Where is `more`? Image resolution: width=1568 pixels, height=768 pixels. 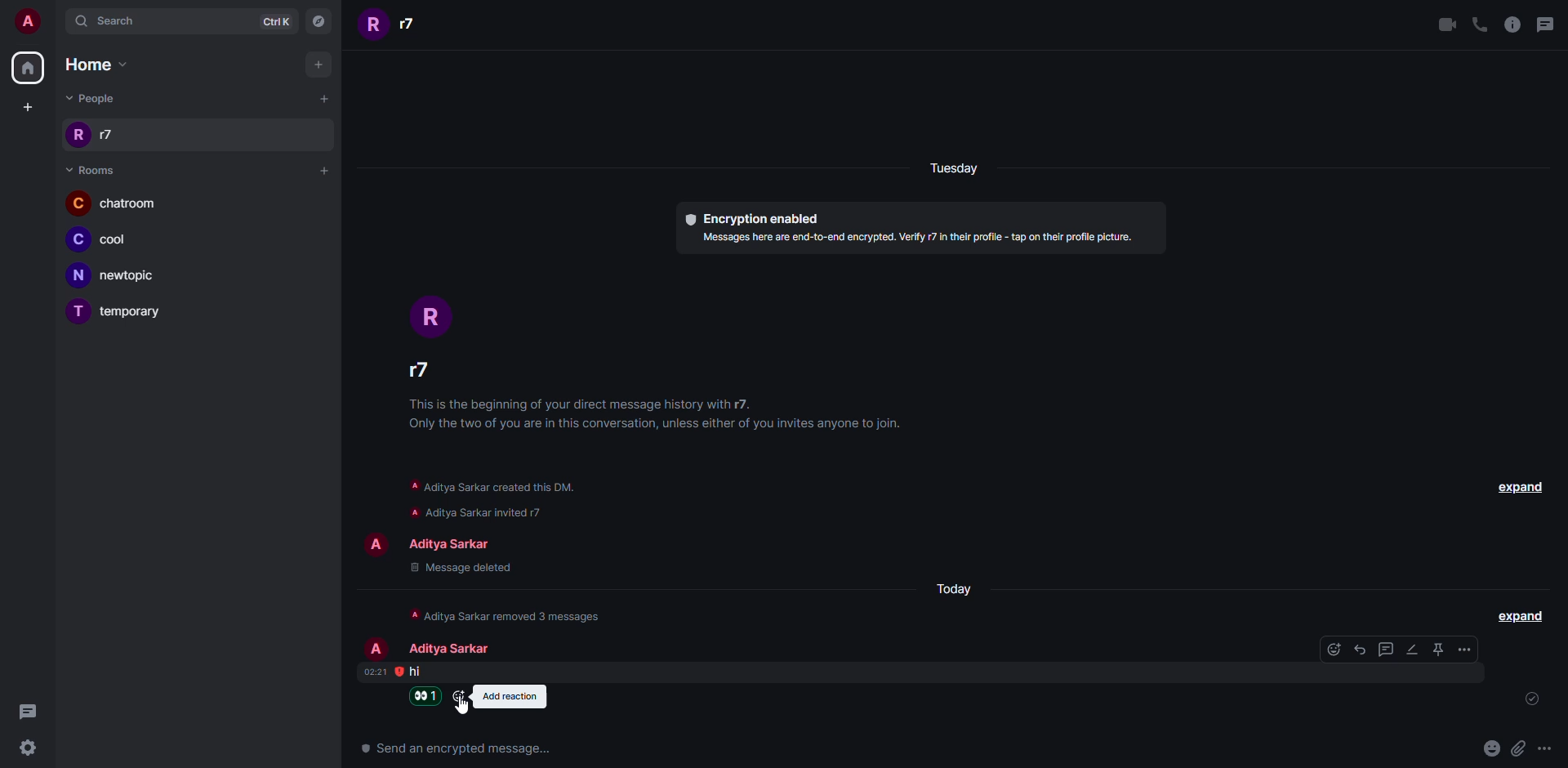
more is located at coordinates (1544, 748).